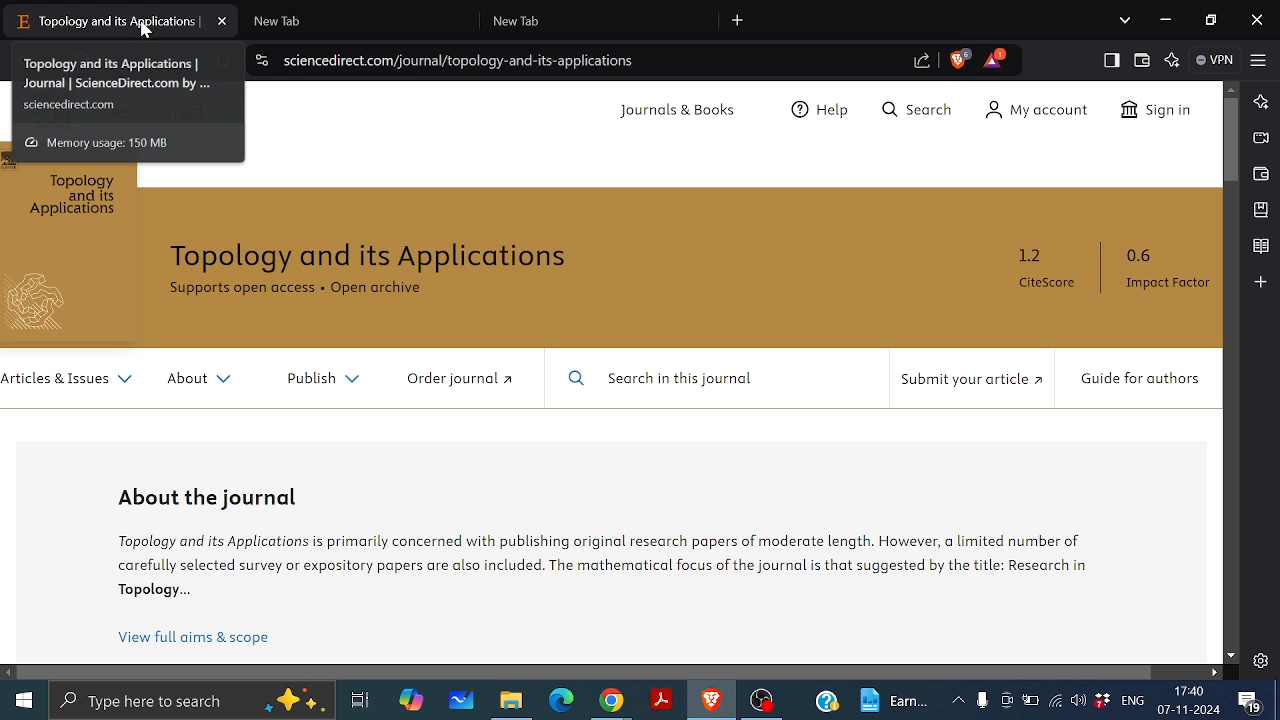 Image resolution: width=1280 pixels, height=720 pixels. Describe the element at coordinates (896, 699) in the screenshot. I see `New` at that location.